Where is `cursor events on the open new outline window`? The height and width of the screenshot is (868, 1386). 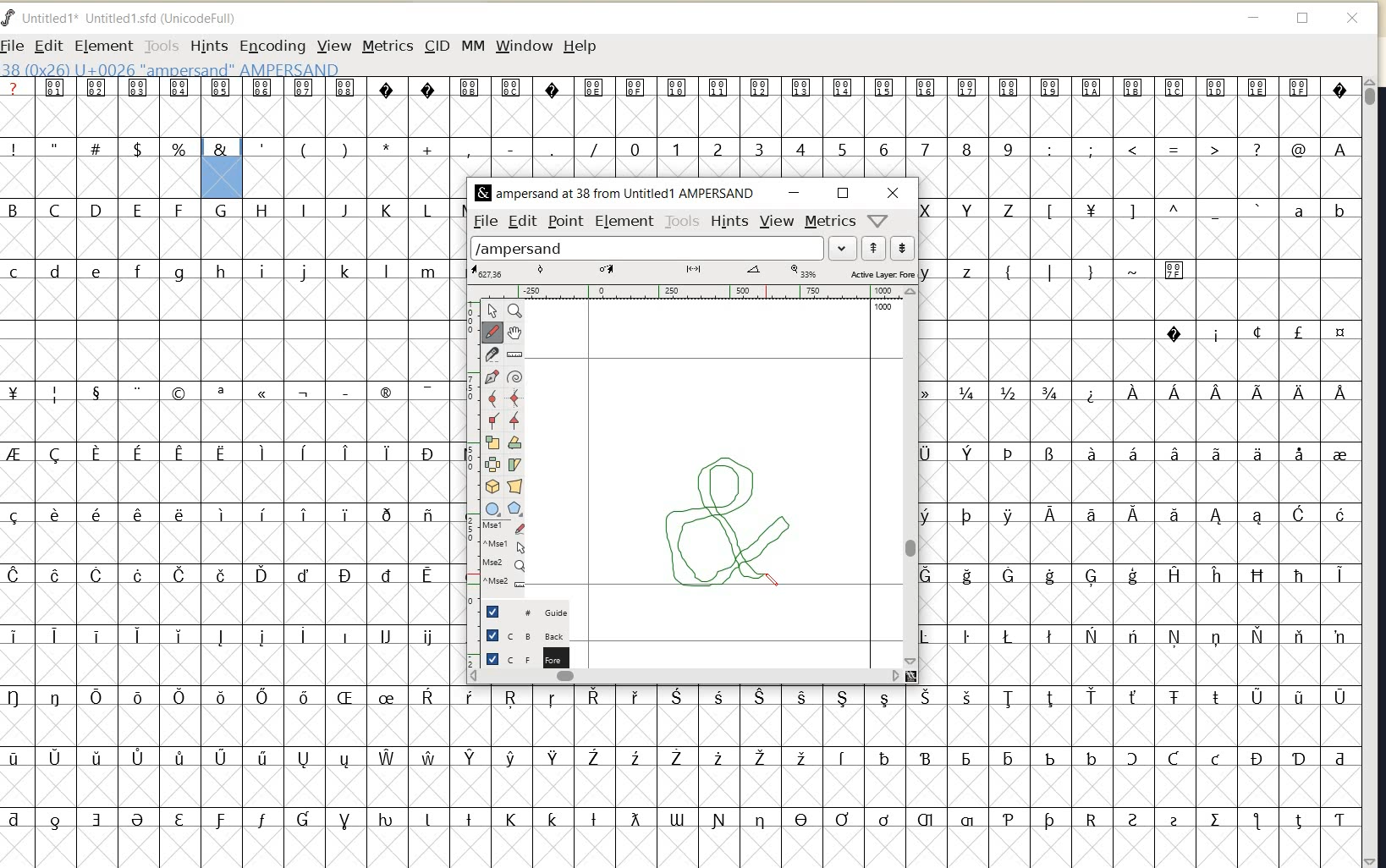
cursor events on the open new outline window is located at coordinates (506, 557).